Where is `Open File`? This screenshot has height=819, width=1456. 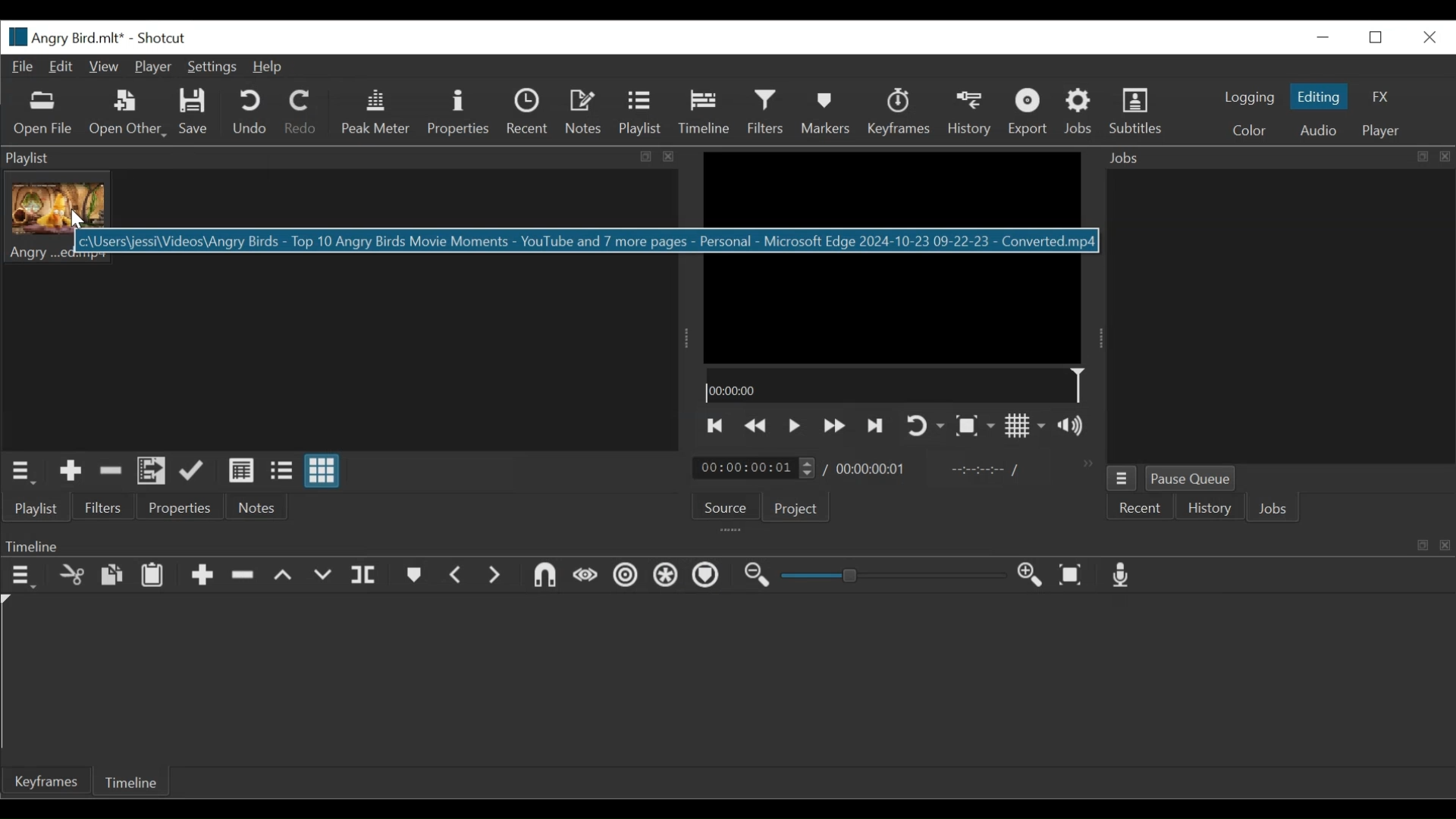 Open File is located at coordinates (46, 114).